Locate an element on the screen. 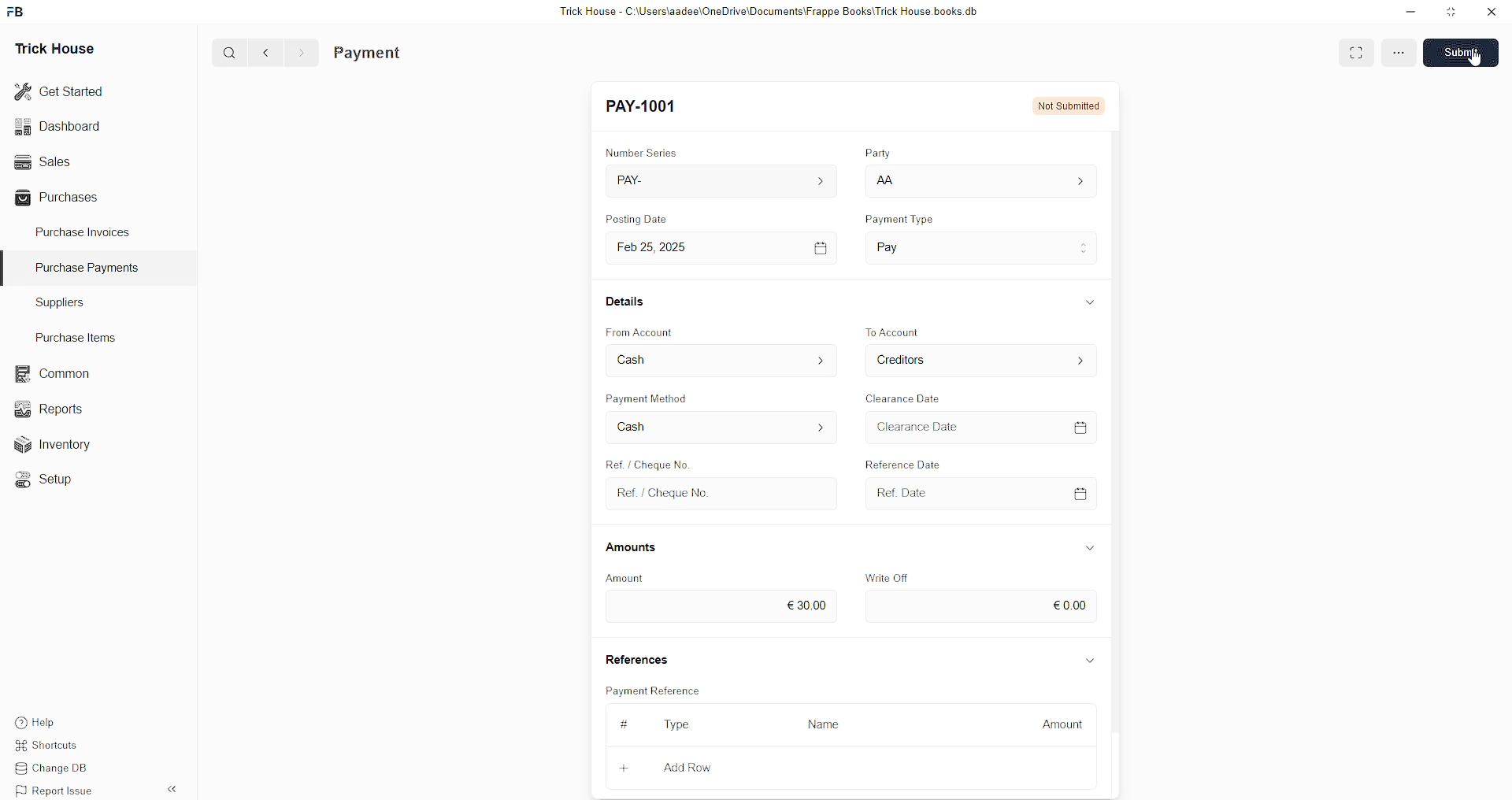 This screenshot has height=800, width=1512. calendar is located at coordinates (821, 245).